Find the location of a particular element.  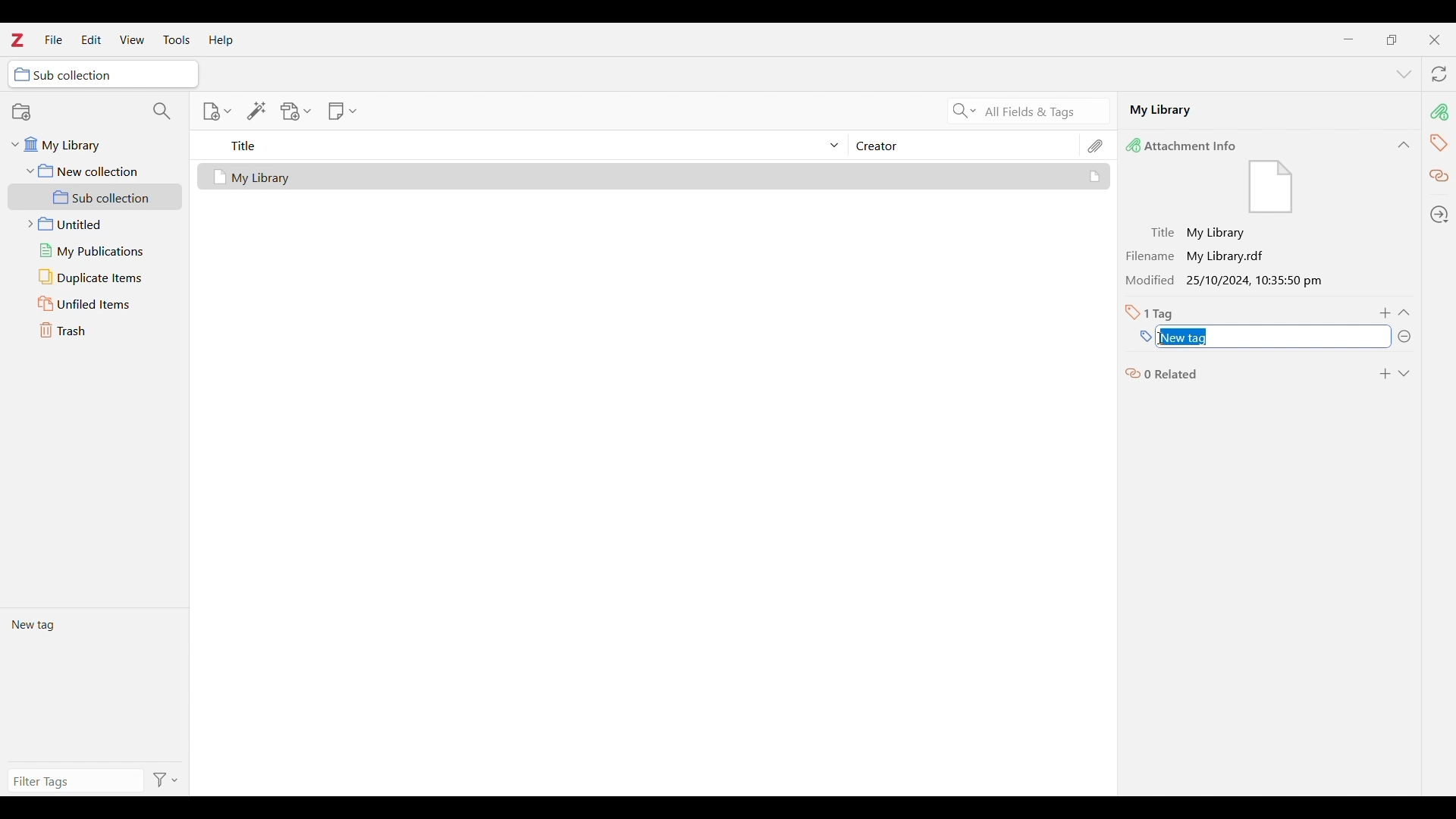

Minimize is located at coordinates (1349, 39).